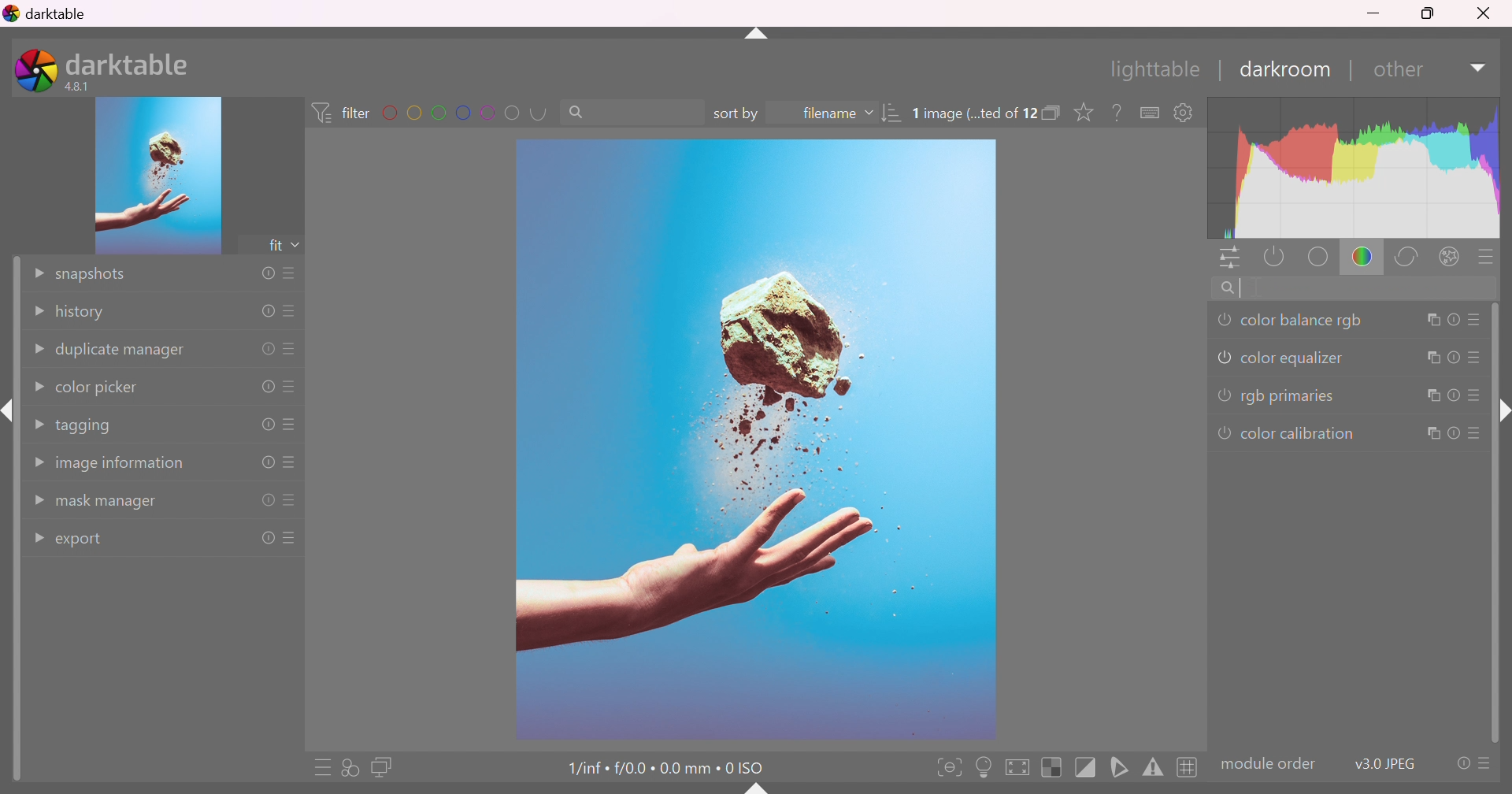 The image size is (1512, 794). Describe the element at coordinates (1223, 317) in the screenshot. I see `'color balance rgb' is switched off` at that location.